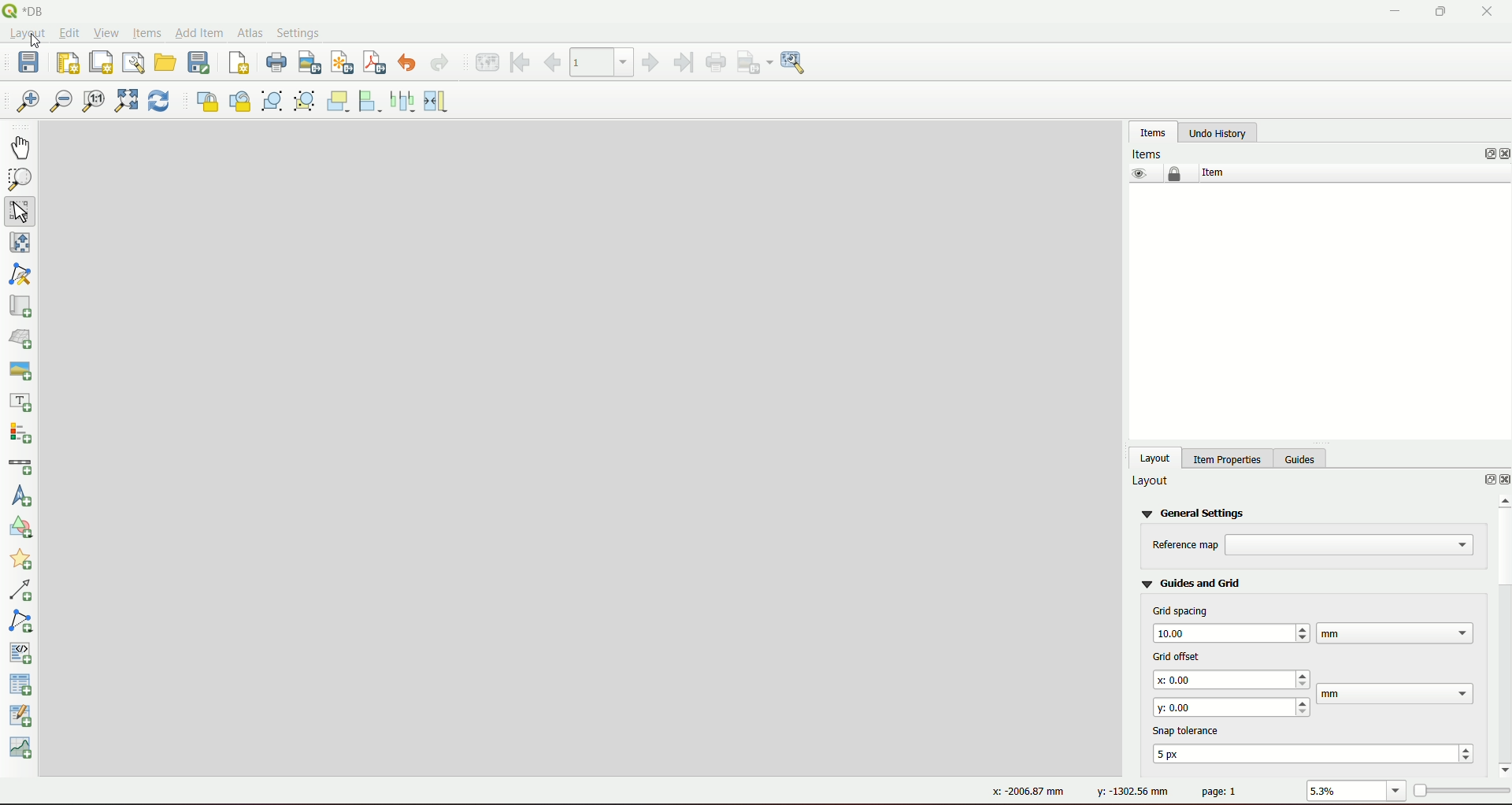 The image size is (1512, 805). What do you see at coordinates (31, 64) in the screenshot?
I see `save project` at bounding box center [31, 64].